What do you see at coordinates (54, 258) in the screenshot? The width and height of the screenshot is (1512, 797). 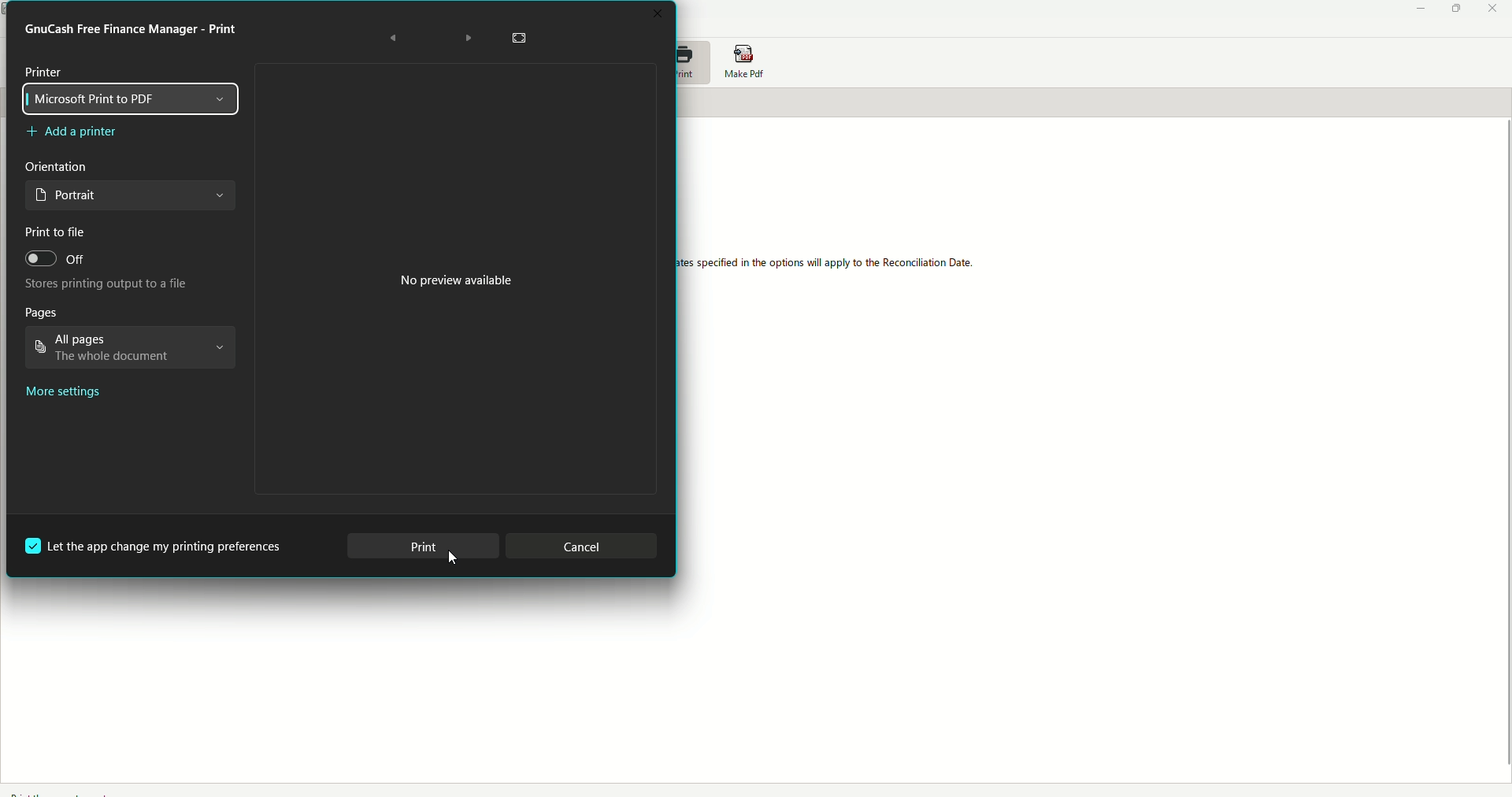 I see `Off` at bounding box center [54, 258].